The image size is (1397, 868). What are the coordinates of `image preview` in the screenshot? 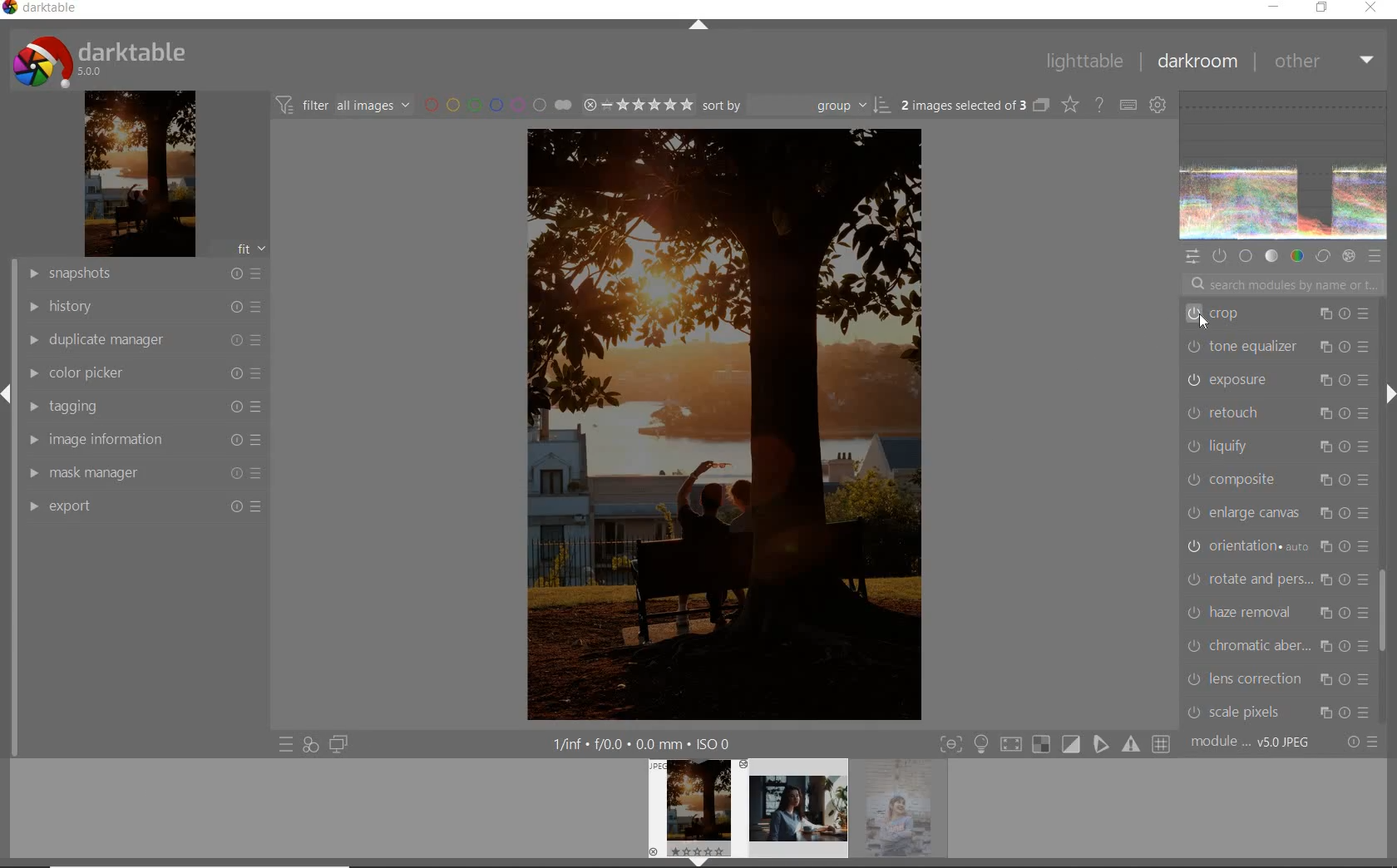 It's located at (693, 806).